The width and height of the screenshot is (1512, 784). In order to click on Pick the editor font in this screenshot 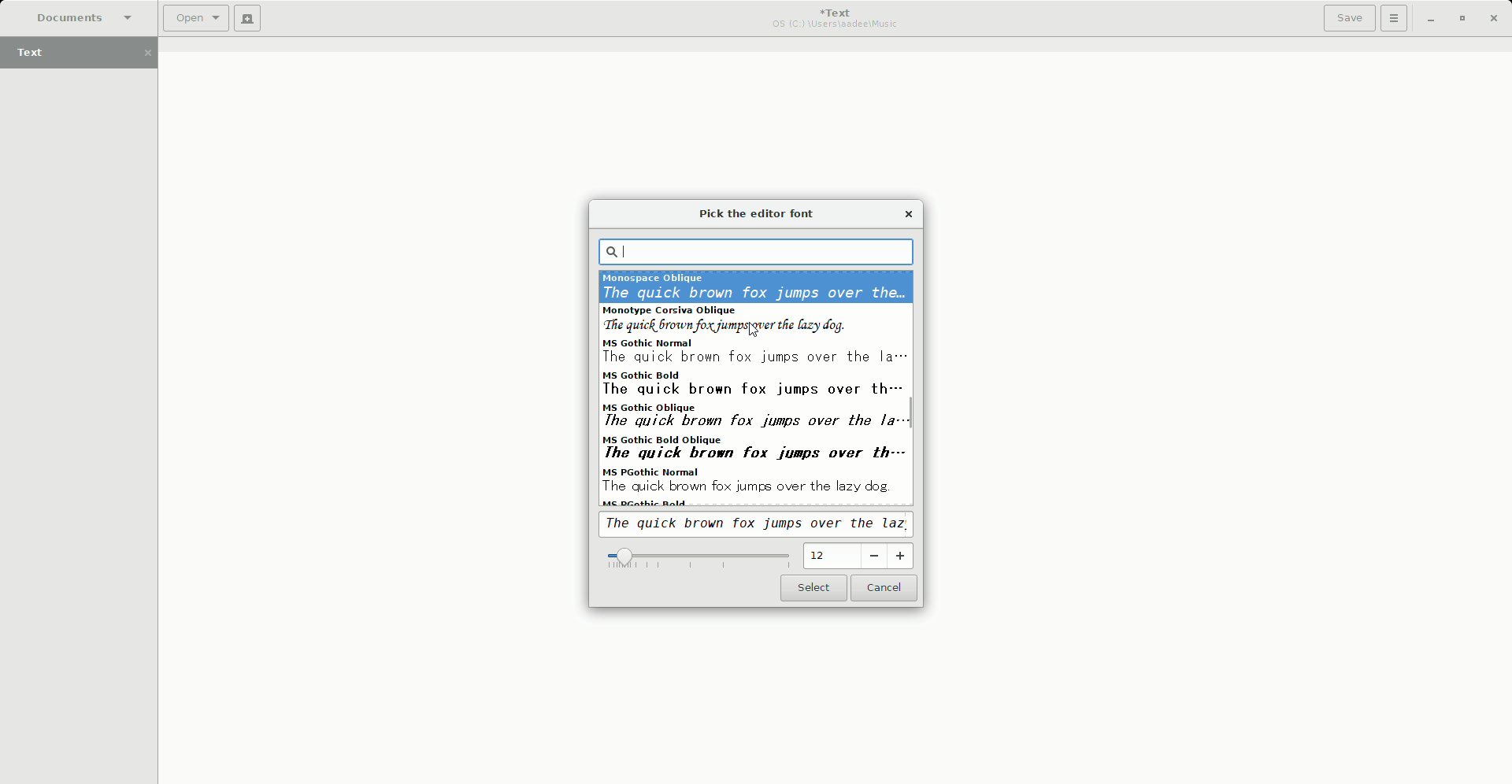, I will do `click(761, 215)`.